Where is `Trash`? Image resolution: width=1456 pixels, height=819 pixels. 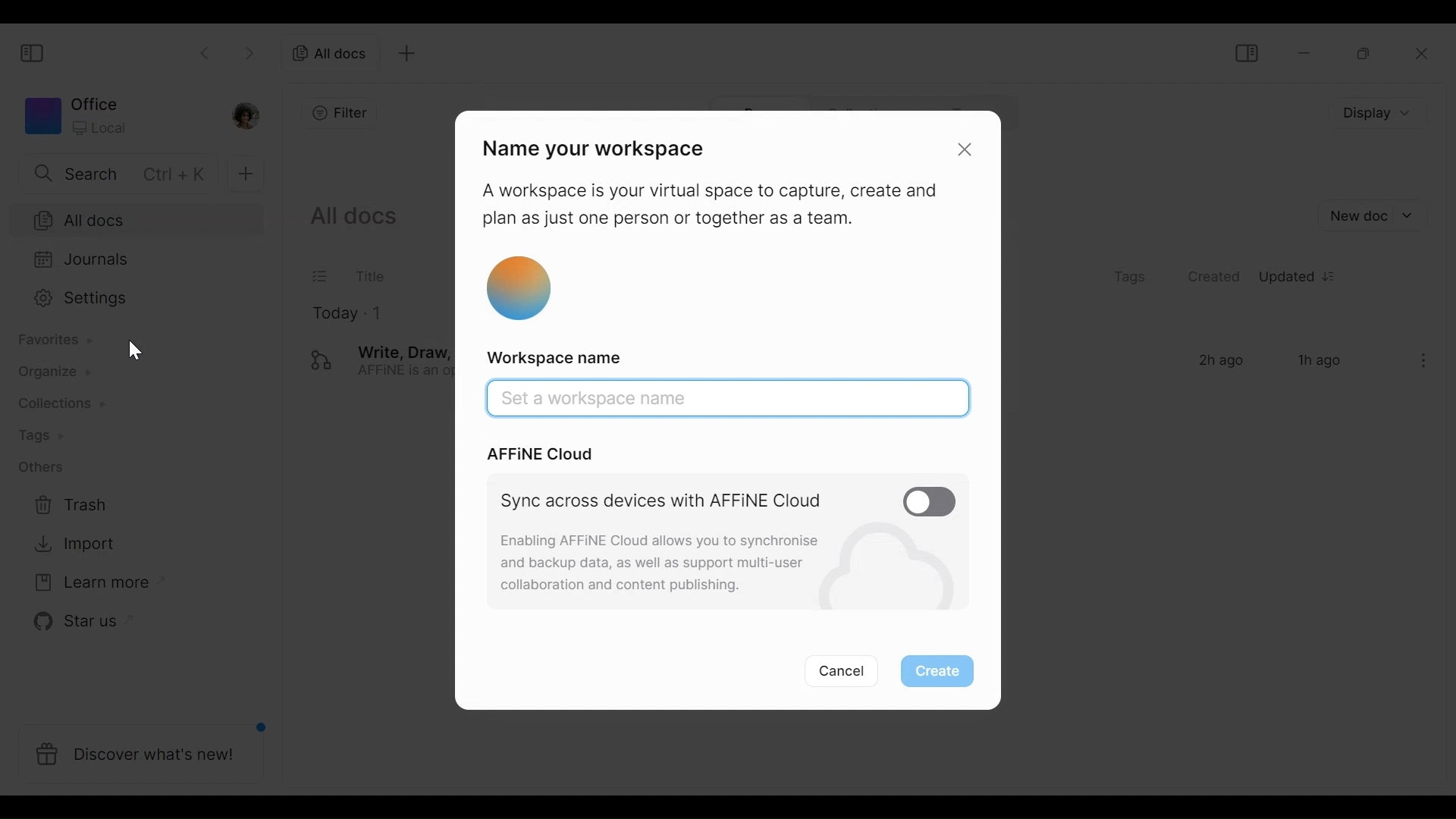
Trash is located at coordinates (67, 507).